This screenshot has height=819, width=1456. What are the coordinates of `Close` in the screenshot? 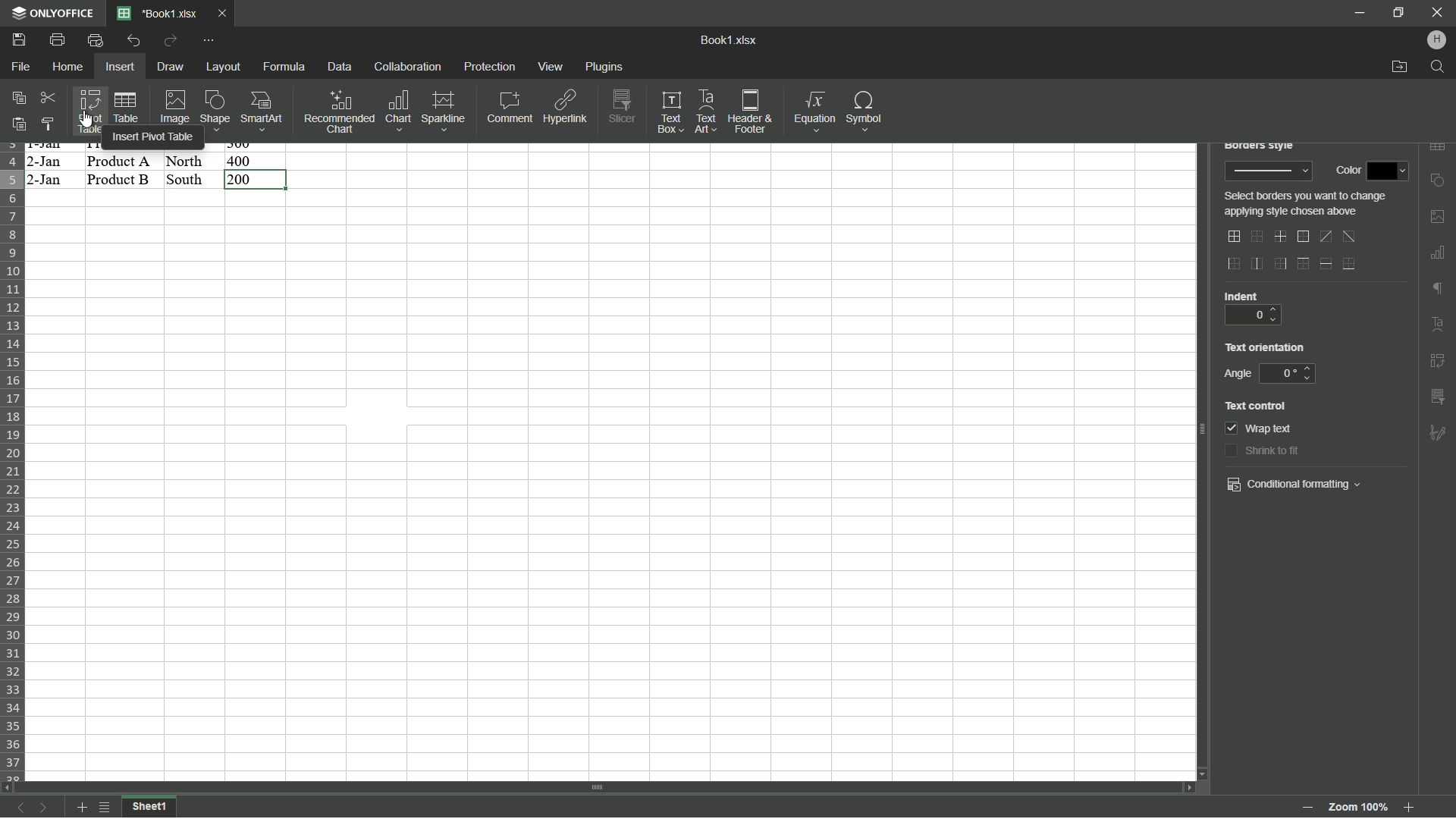 It's located at (225, 15).